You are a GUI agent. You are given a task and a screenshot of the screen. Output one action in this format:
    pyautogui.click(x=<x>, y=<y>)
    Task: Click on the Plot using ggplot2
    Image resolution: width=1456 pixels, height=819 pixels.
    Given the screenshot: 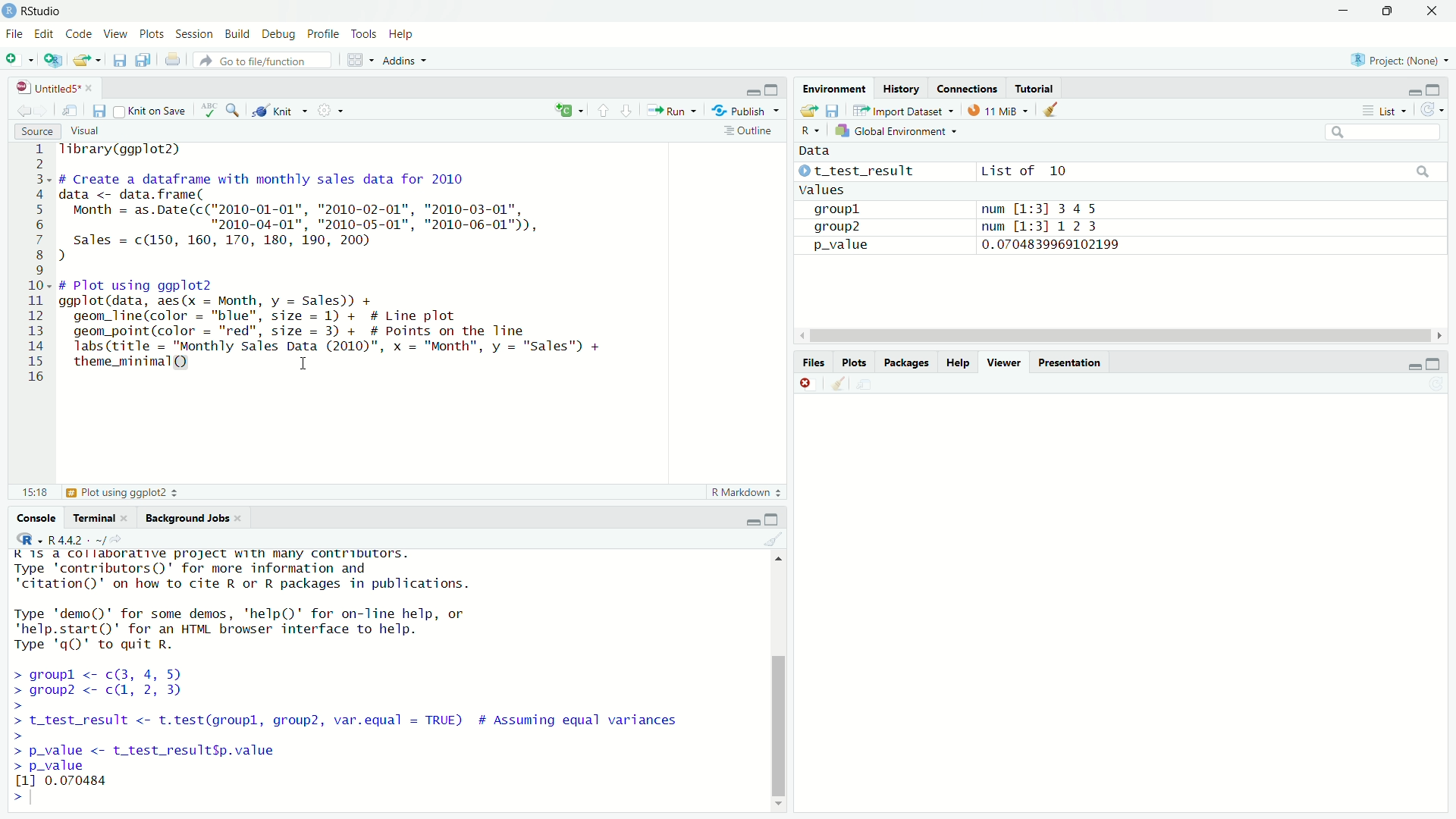 What is the action you would take?
    pyautogui.click(x=121, y=492)
    